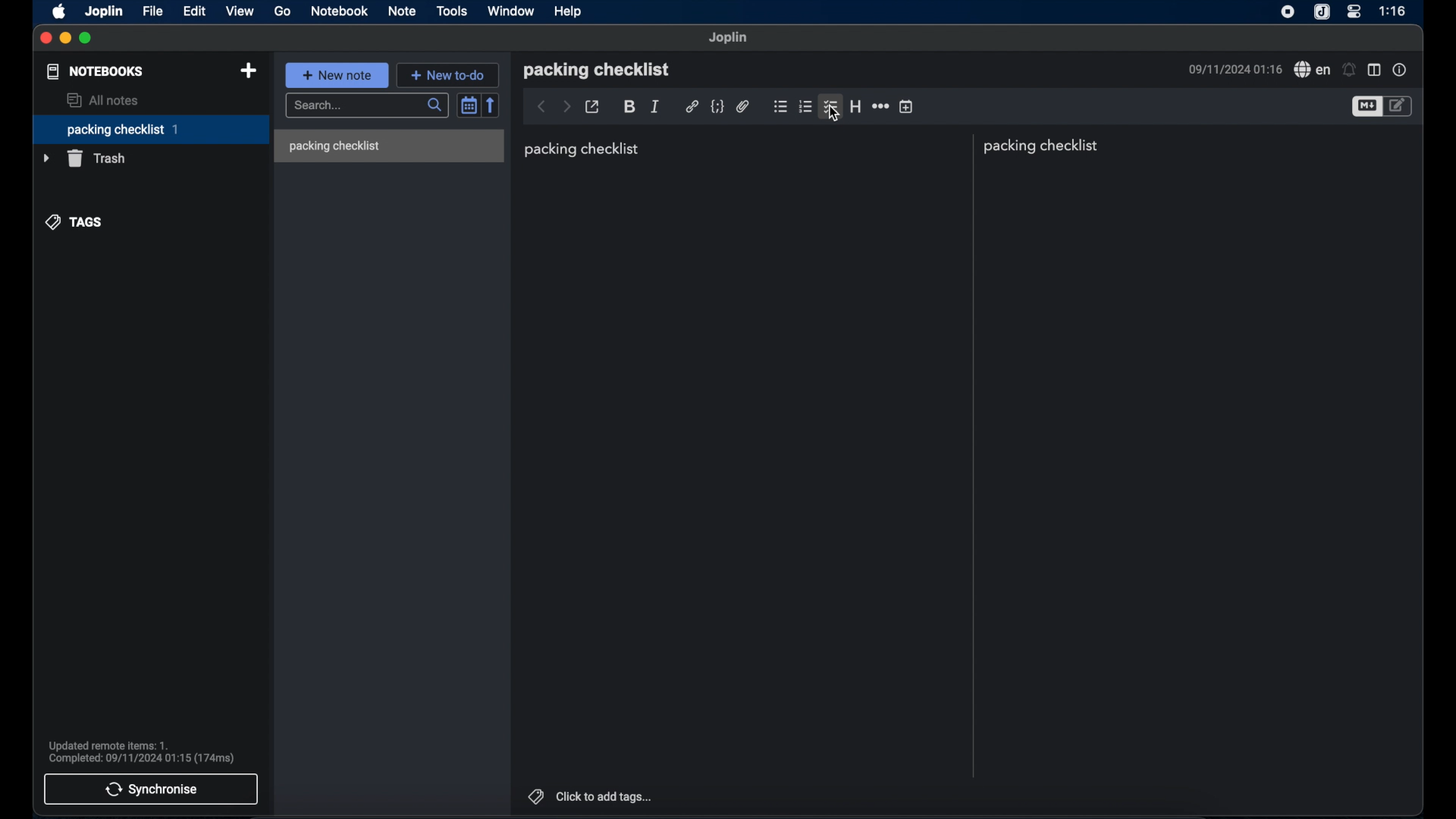  I want to click on tags, so click(74, 223).